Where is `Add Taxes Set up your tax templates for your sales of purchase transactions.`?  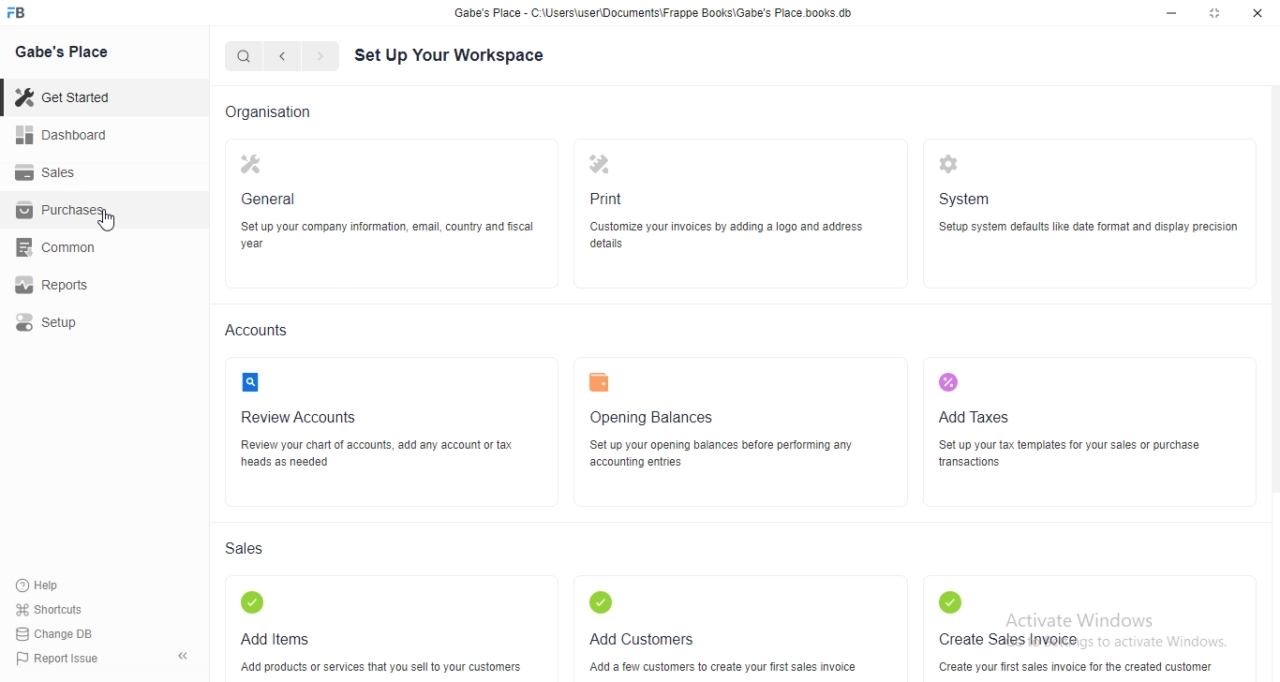 Add Taxes Set up your tax templates for your sales of purchase transactions. is located at coordinates (1070, 438).